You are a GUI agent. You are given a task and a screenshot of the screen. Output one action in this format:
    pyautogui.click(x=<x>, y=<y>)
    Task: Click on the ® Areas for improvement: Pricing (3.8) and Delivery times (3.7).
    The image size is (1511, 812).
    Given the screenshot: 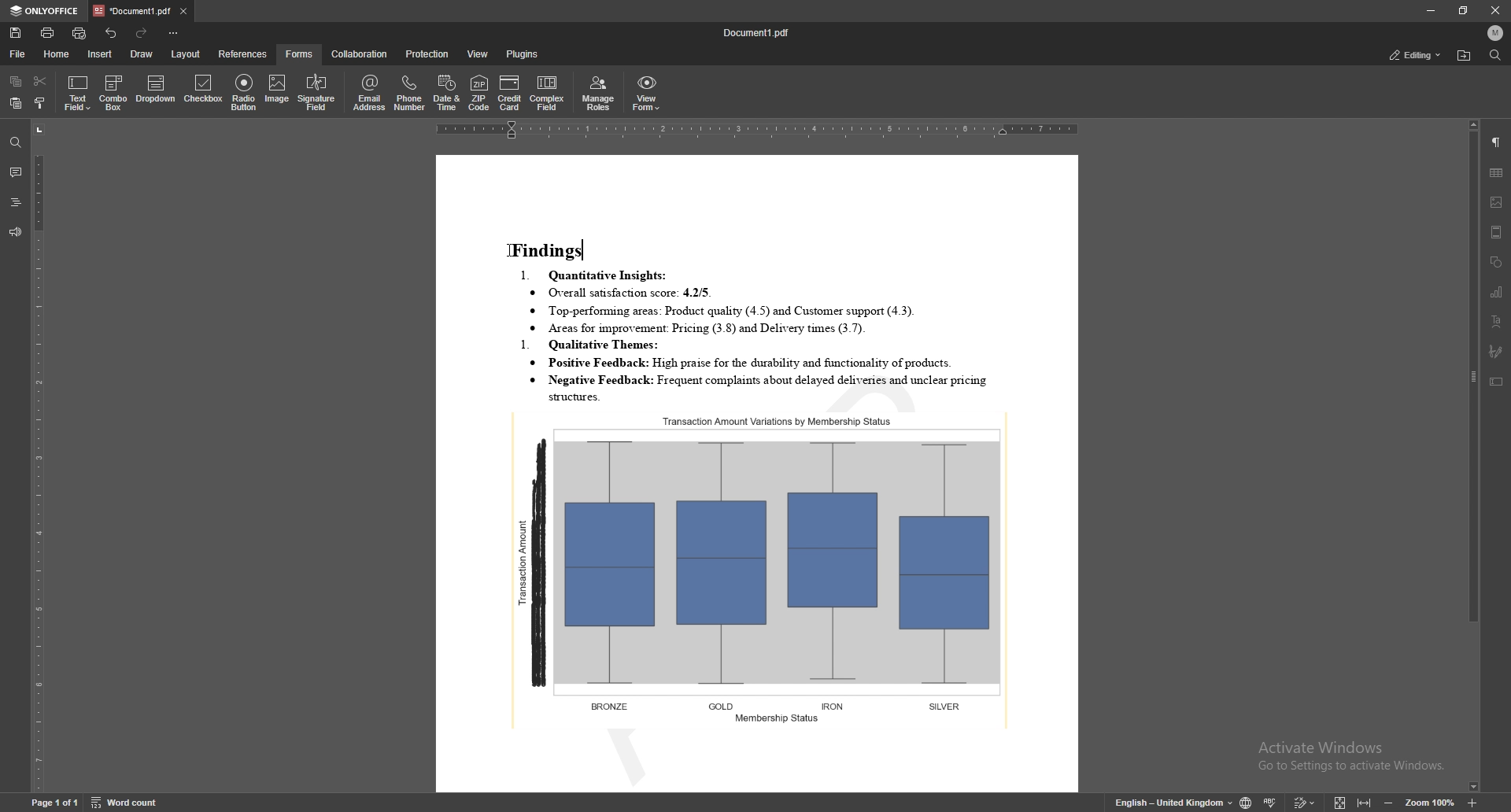 What is the action you would take?
    pyautogui.click(x=708, y=329)
    